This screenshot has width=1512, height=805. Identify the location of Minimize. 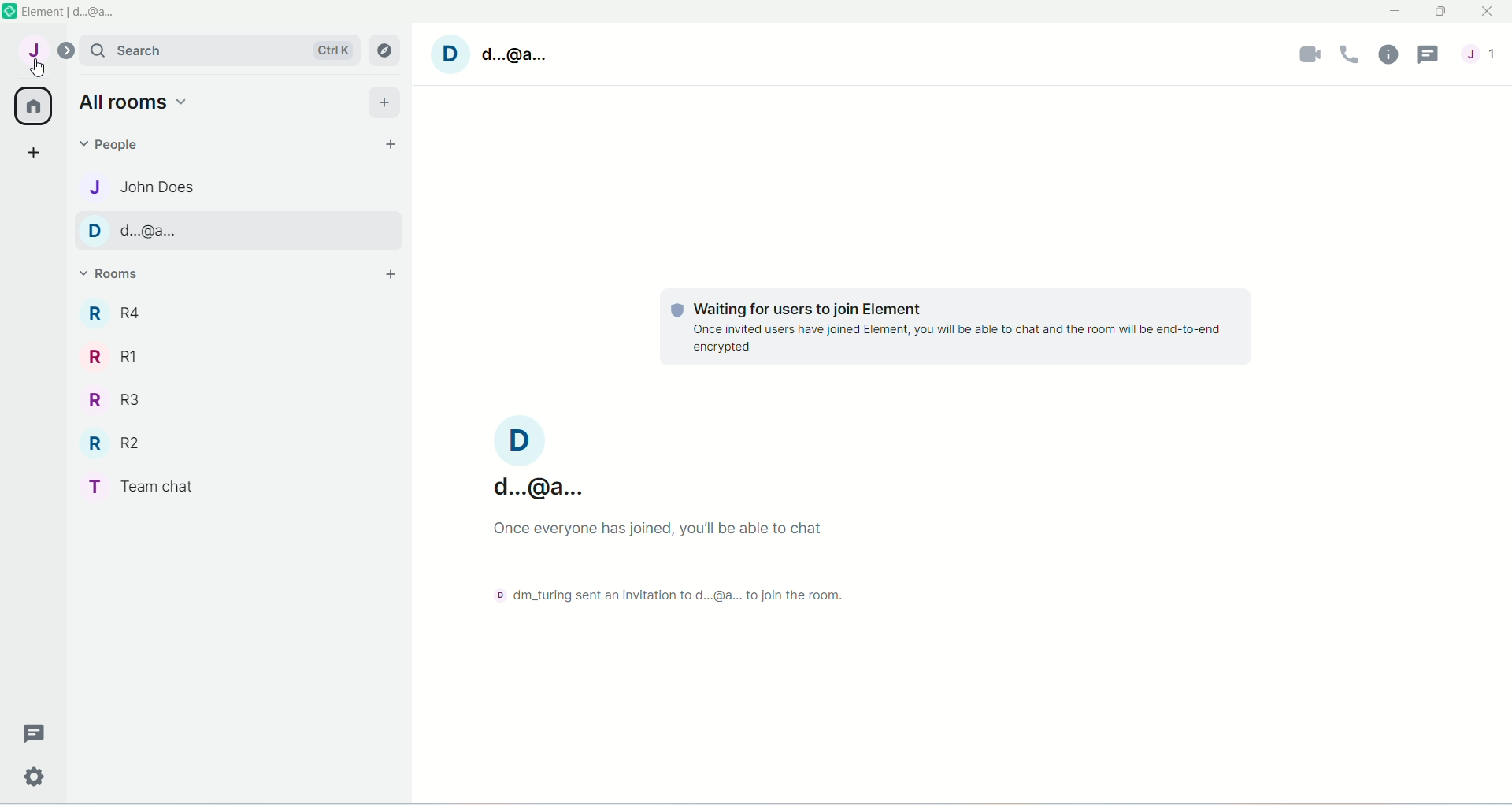
(1397, 11).